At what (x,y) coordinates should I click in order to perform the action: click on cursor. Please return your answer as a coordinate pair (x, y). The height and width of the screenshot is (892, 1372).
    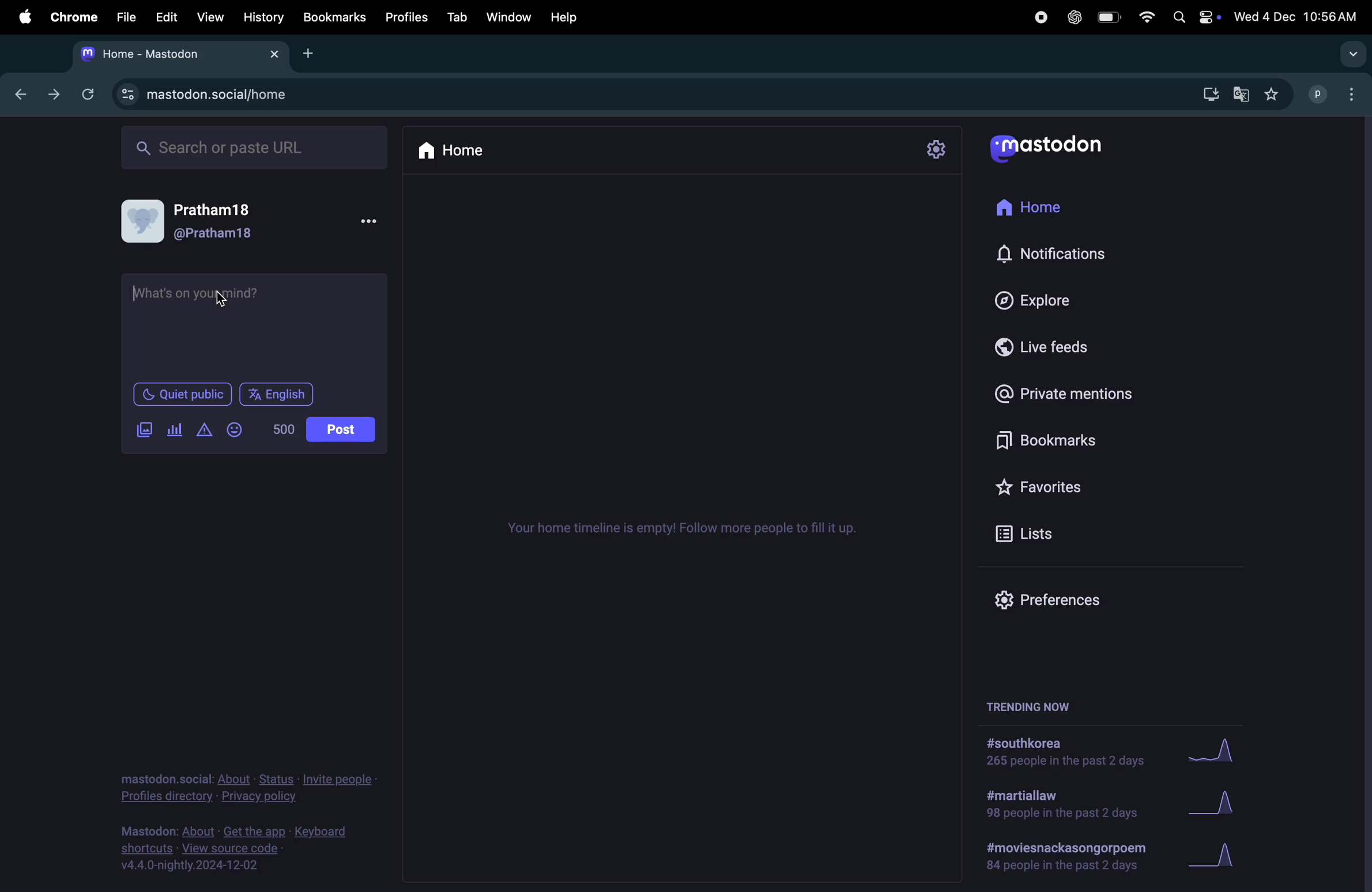
    Looking at the image, I should click on (223, 301).